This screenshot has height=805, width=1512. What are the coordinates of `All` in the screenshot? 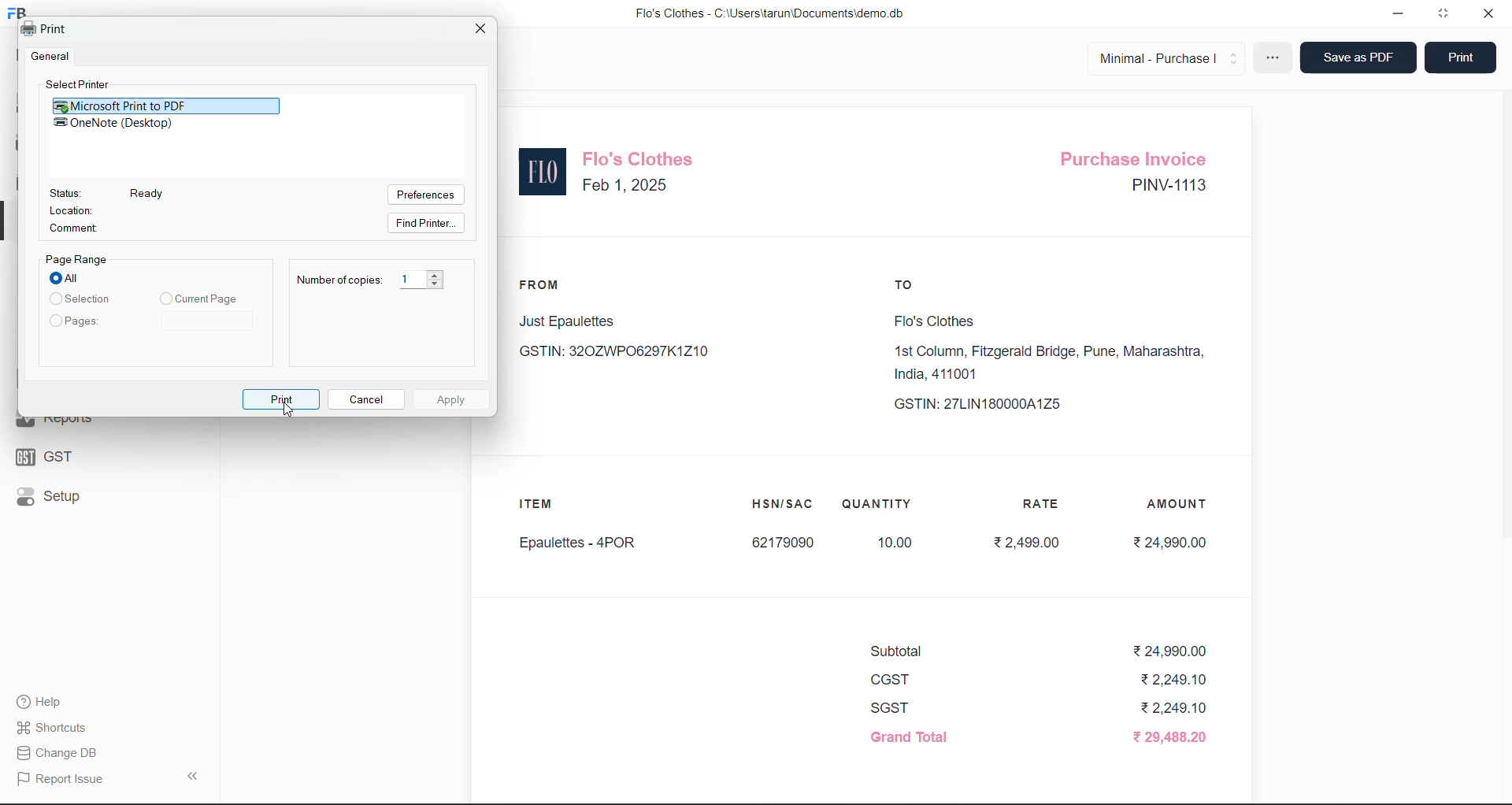 It's located at (71, 278).